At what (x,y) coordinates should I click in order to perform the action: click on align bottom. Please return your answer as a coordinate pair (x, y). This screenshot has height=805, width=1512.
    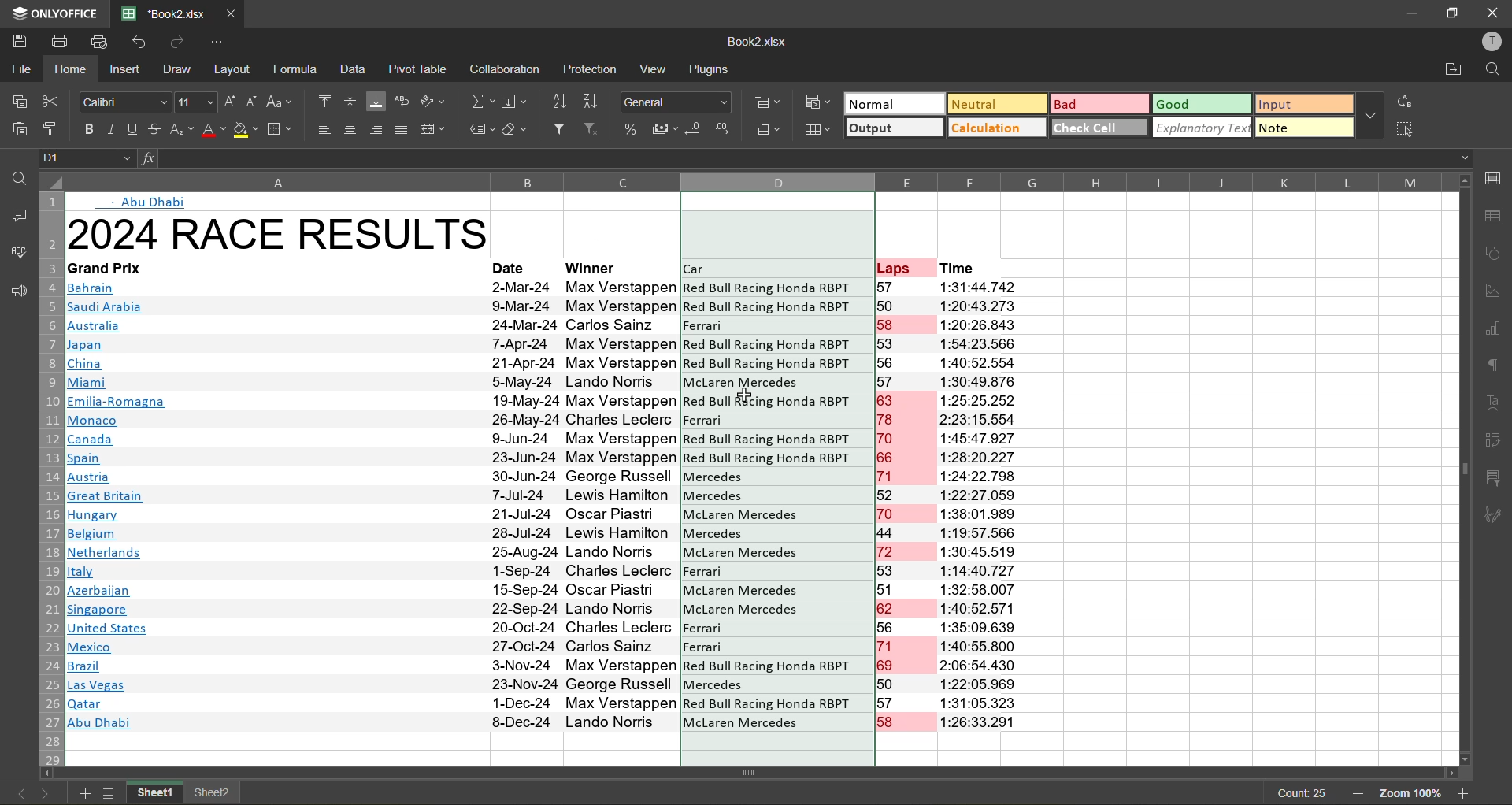
    Looking at the image, I should click on (377, 103).